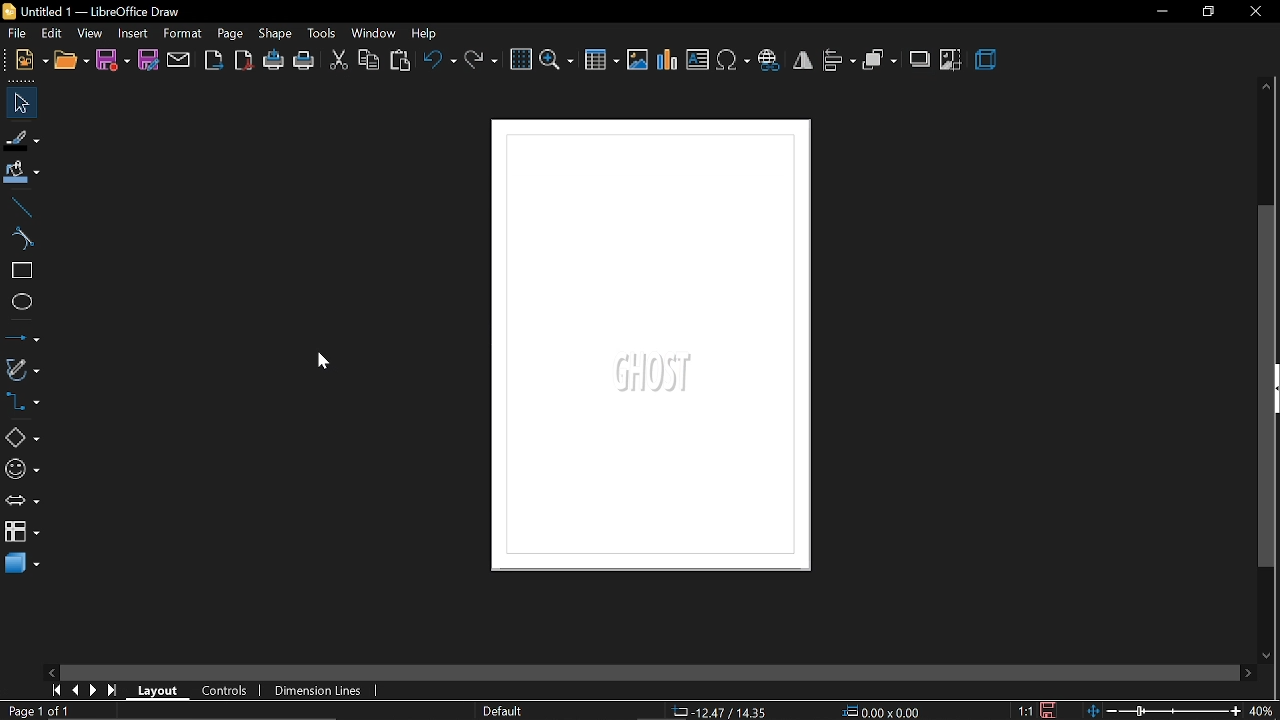 This screenshot has height=720, width=1280. Describe the element at coordinates (214, 62) in the screenshot. I see `export` at that location.